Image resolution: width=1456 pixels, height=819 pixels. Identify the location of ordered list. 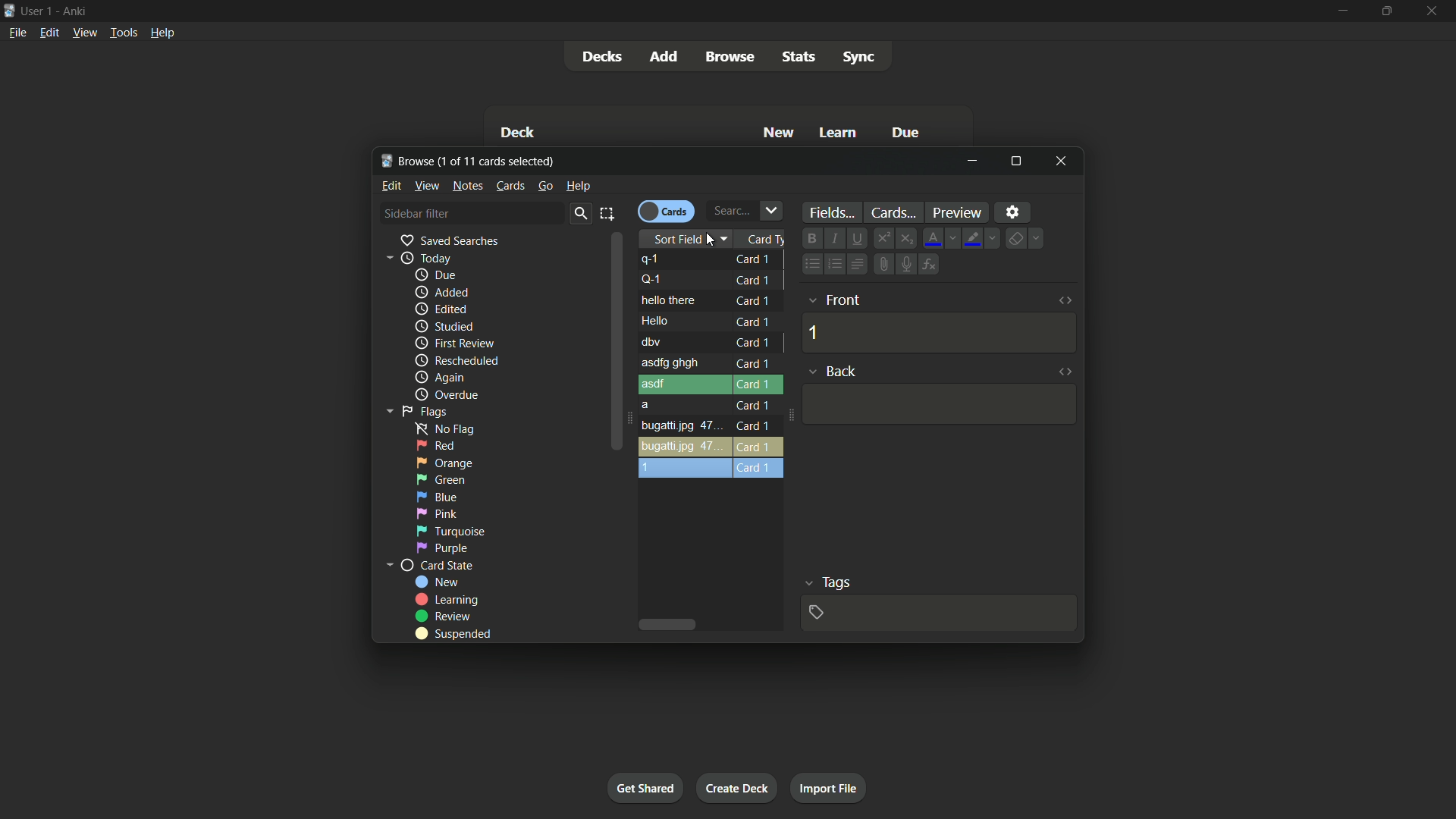
(831, 264).